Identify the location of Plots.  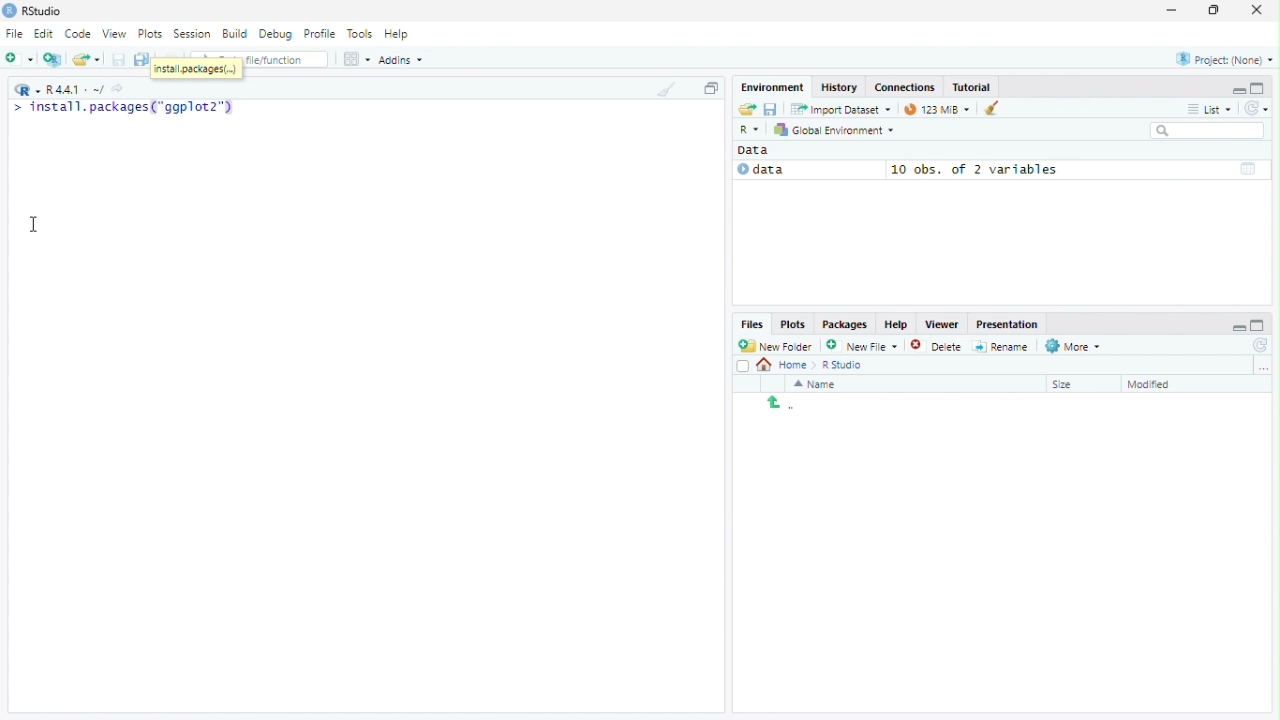
(153, 33).